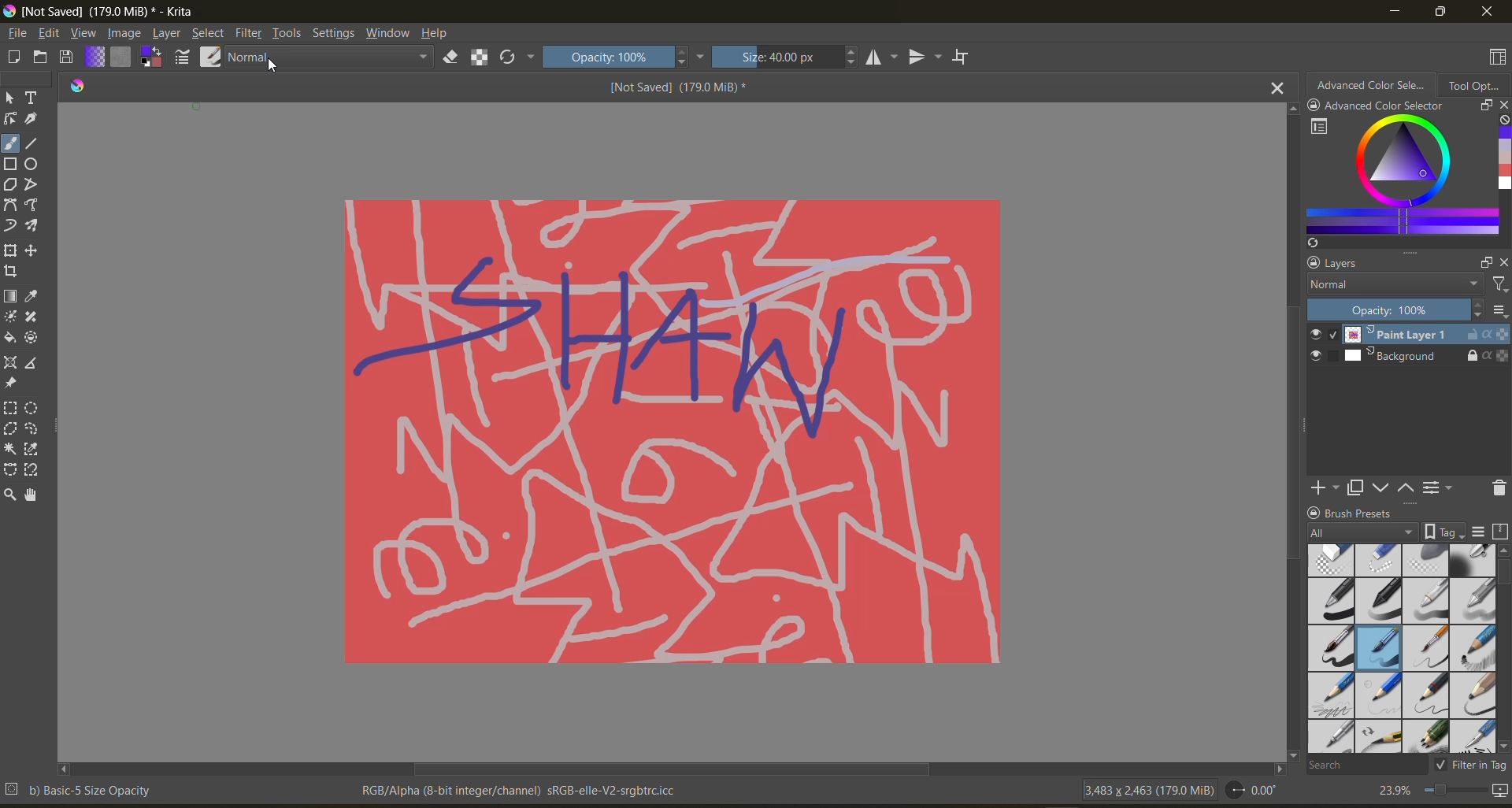  Describe the element at coordinates (1440, 487) in the screenshot. I see `view or change layer` at that location.